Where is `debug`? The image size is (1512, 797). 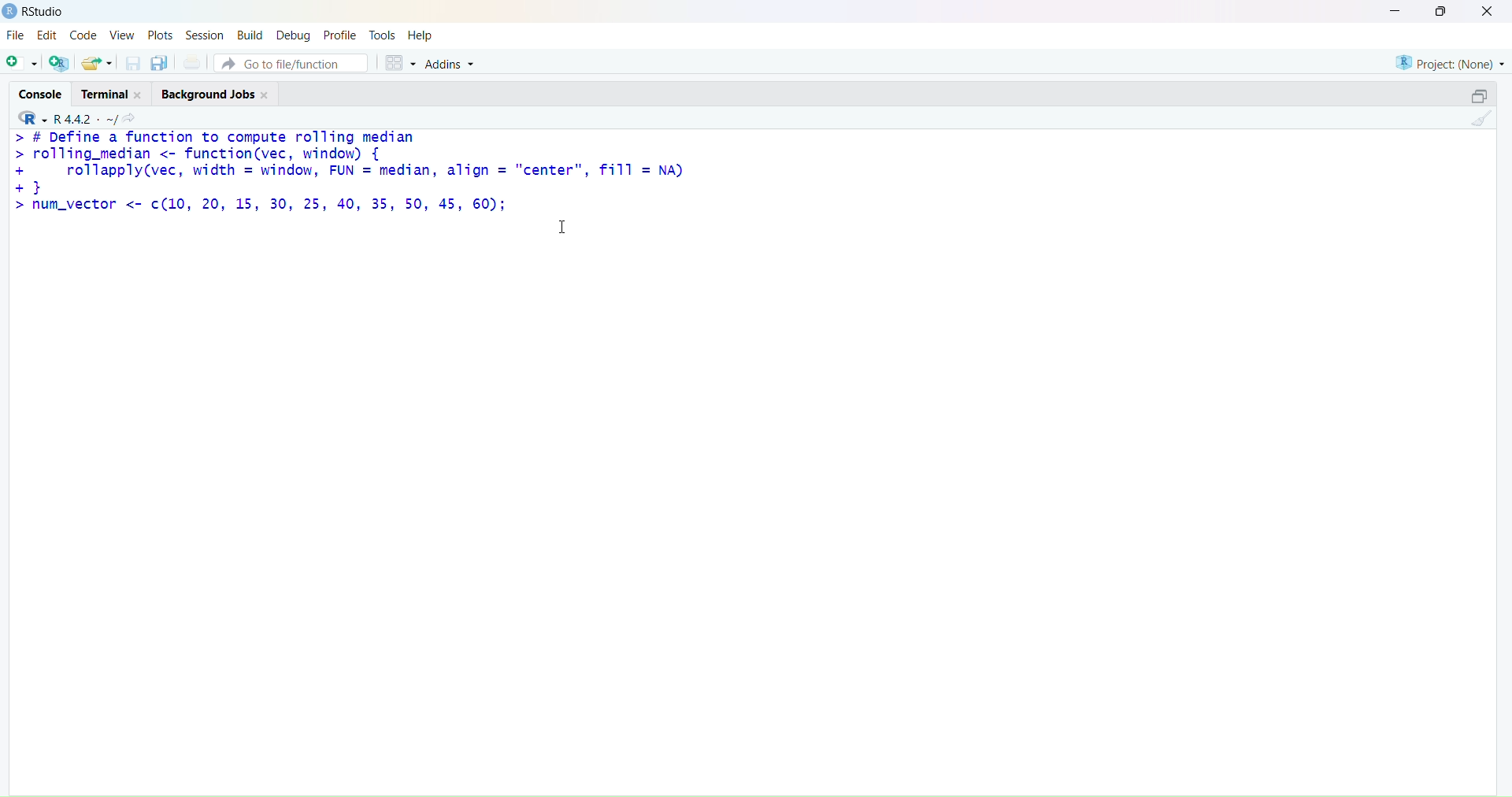 debug is located at coordinates (292, 37).